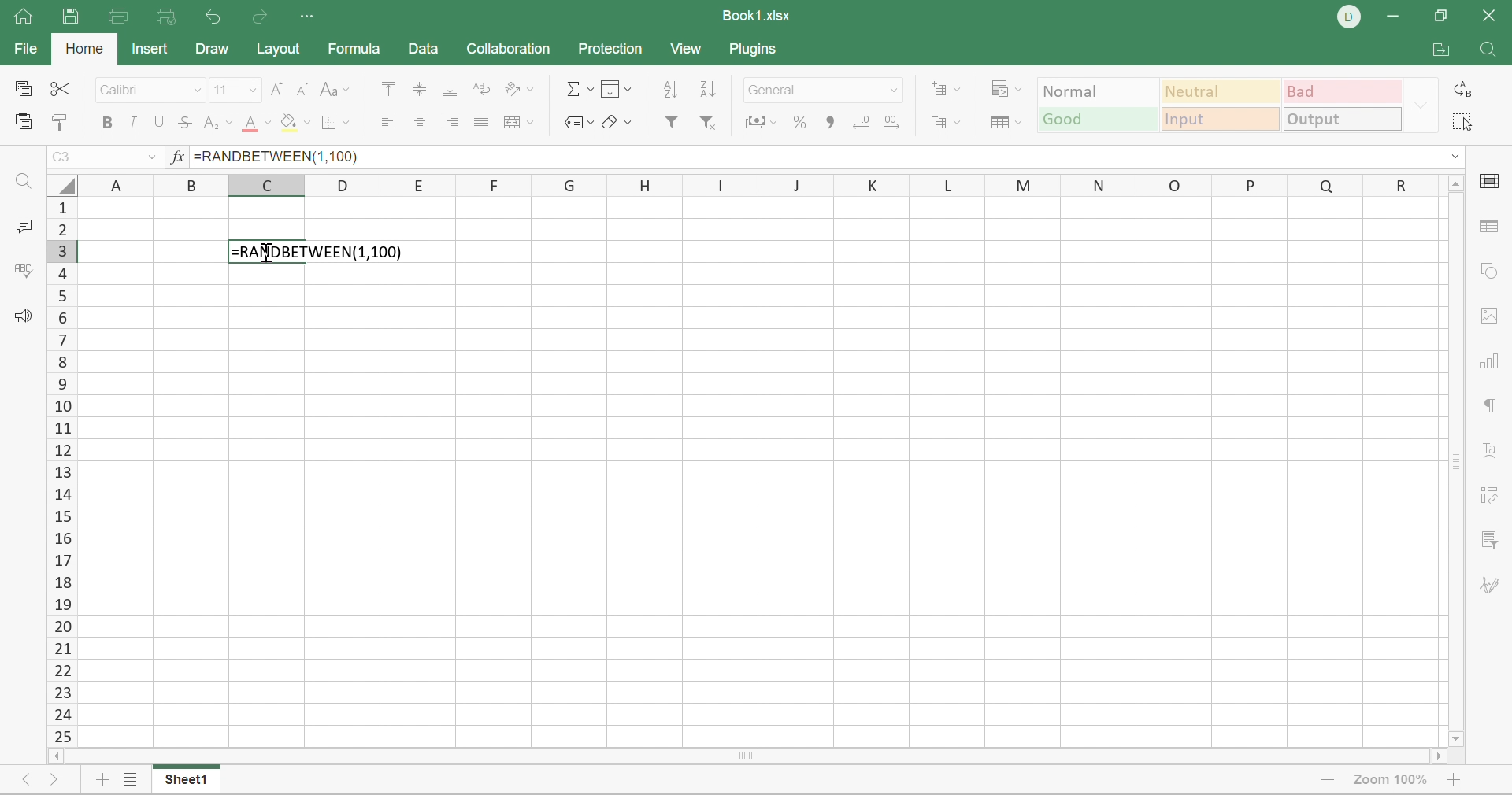 The image size is (1512, 795). Describe the element at coordinates (1351, 17) in the screenshot. I see `DELL` at that location.